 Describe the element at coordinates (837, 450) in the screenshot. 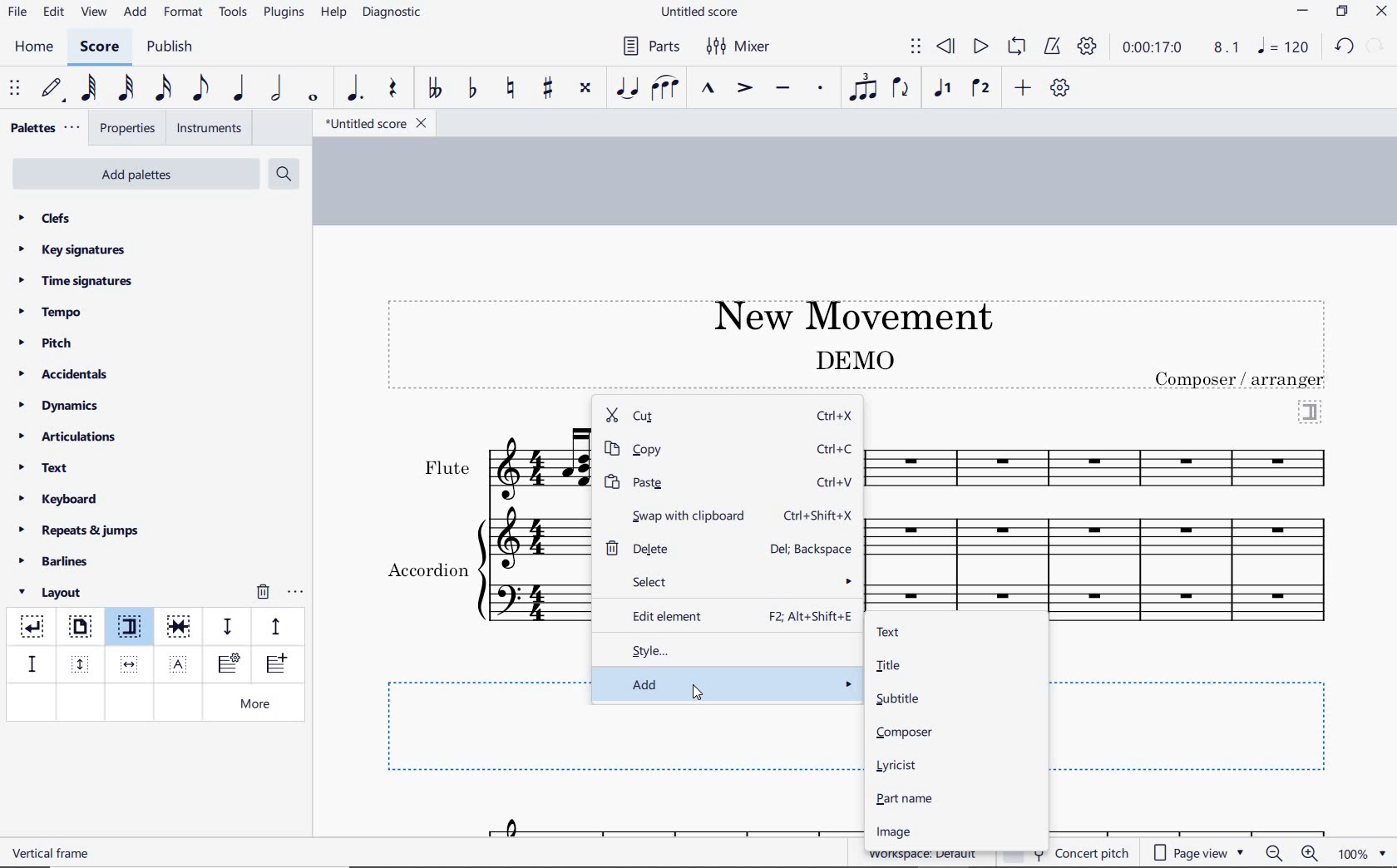

I see `Shortcut key` at that location.